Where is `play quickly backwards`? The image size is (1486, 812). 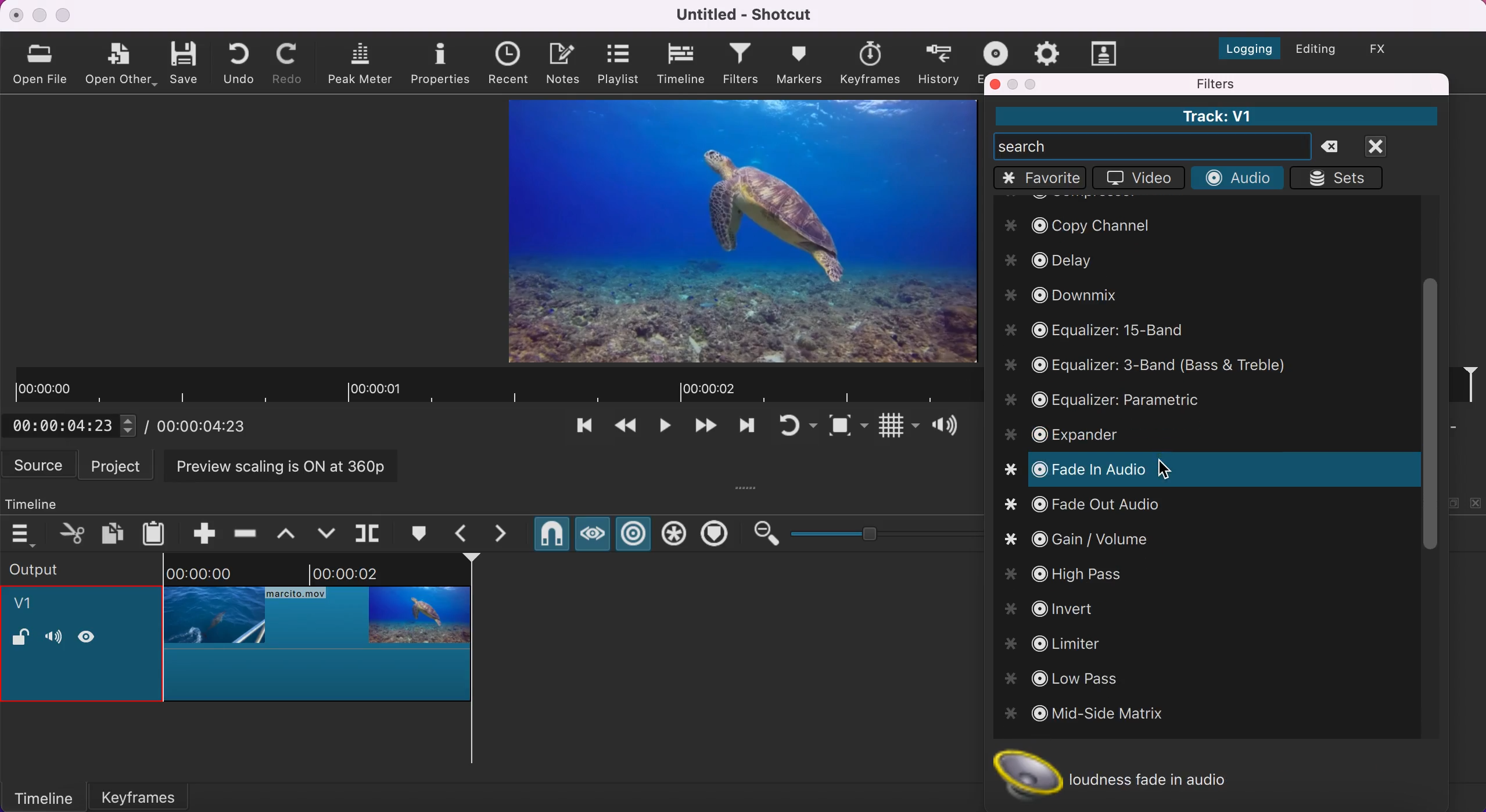
play quickly backwards is located at coordinates (624, 429).